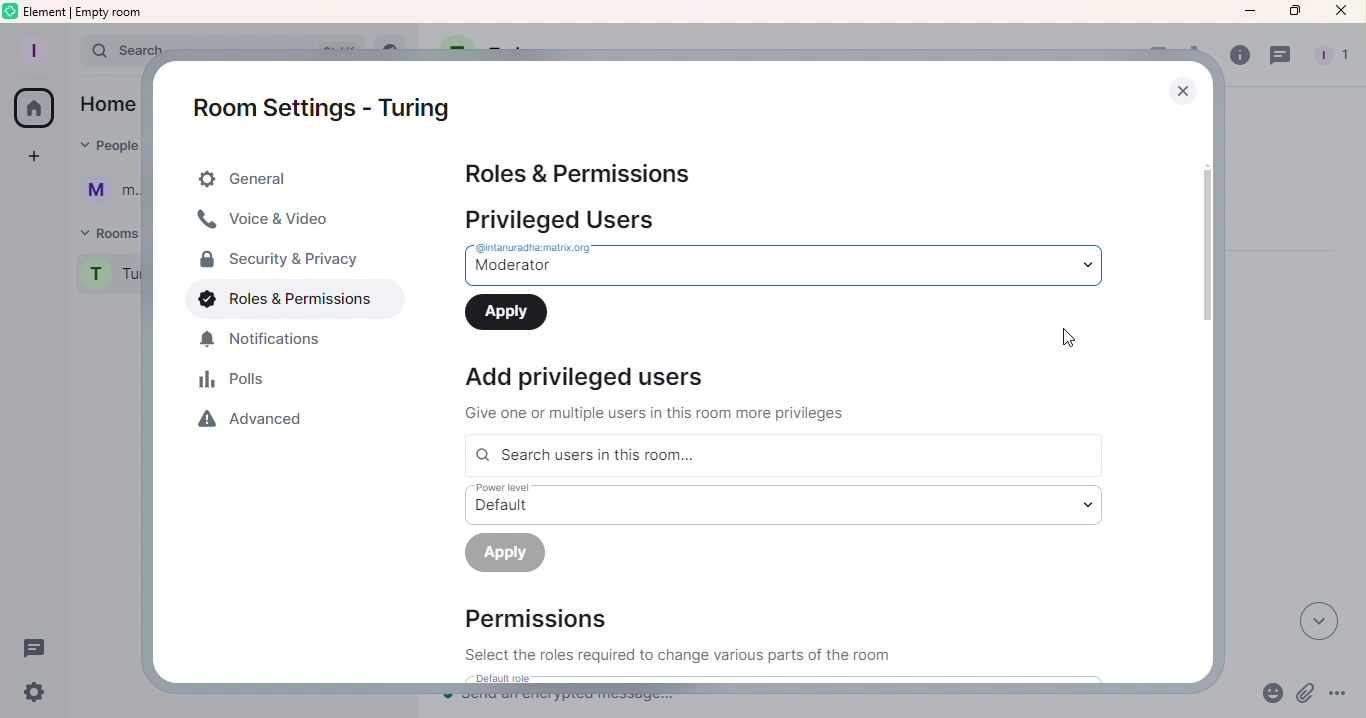  I want to click on Notification, so click(261, 339).